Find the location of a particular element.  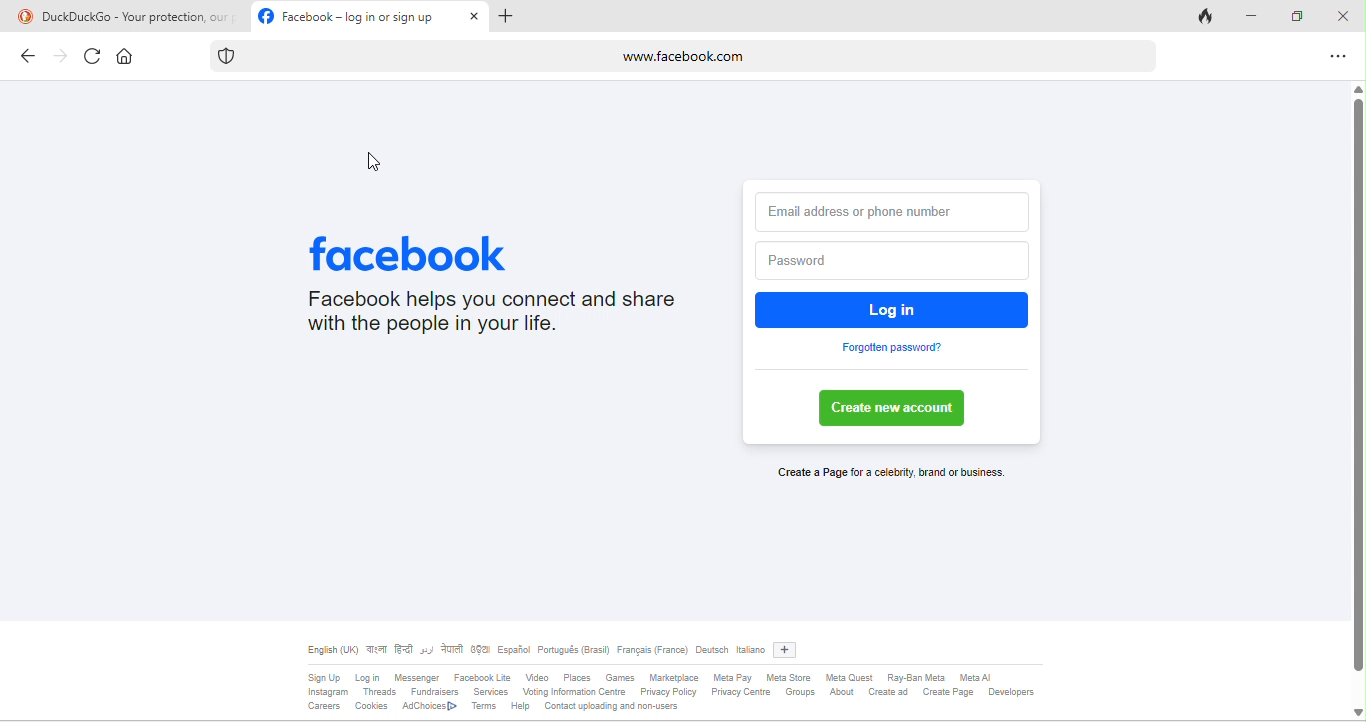

scroll down is located at coordinates (1356, 711).